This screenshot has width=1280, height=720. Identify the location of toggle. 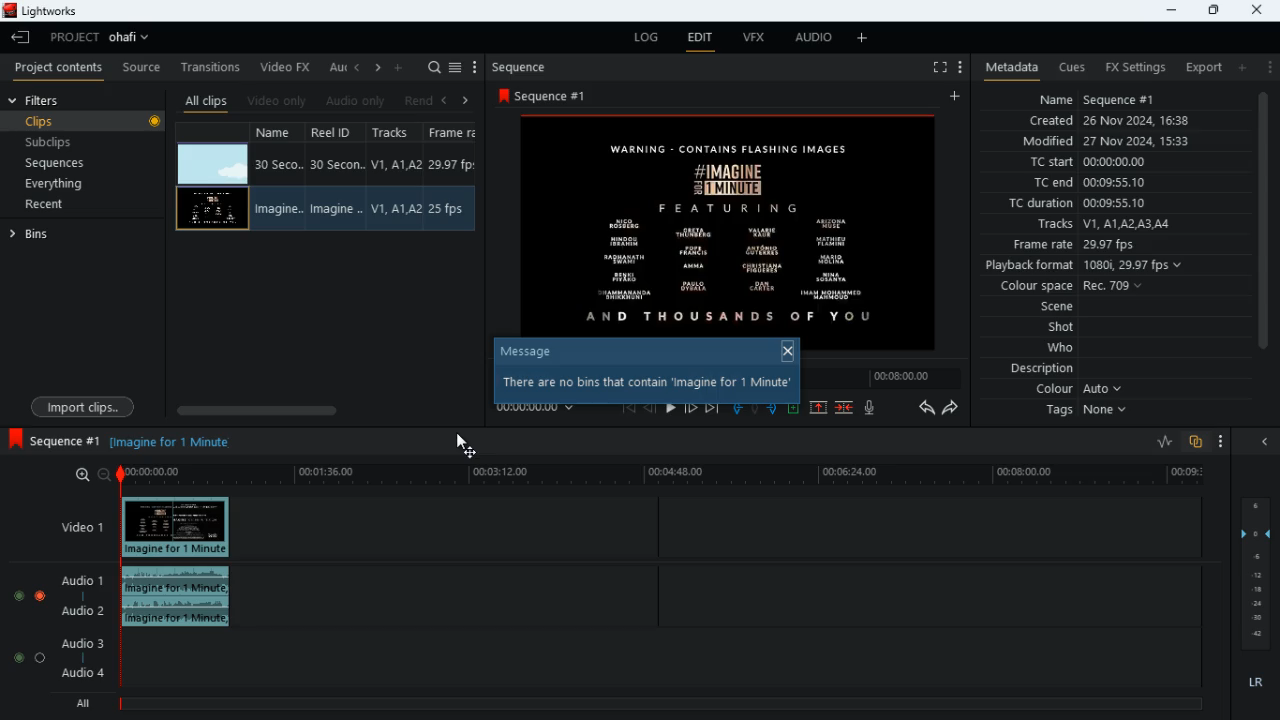
(39, 657).